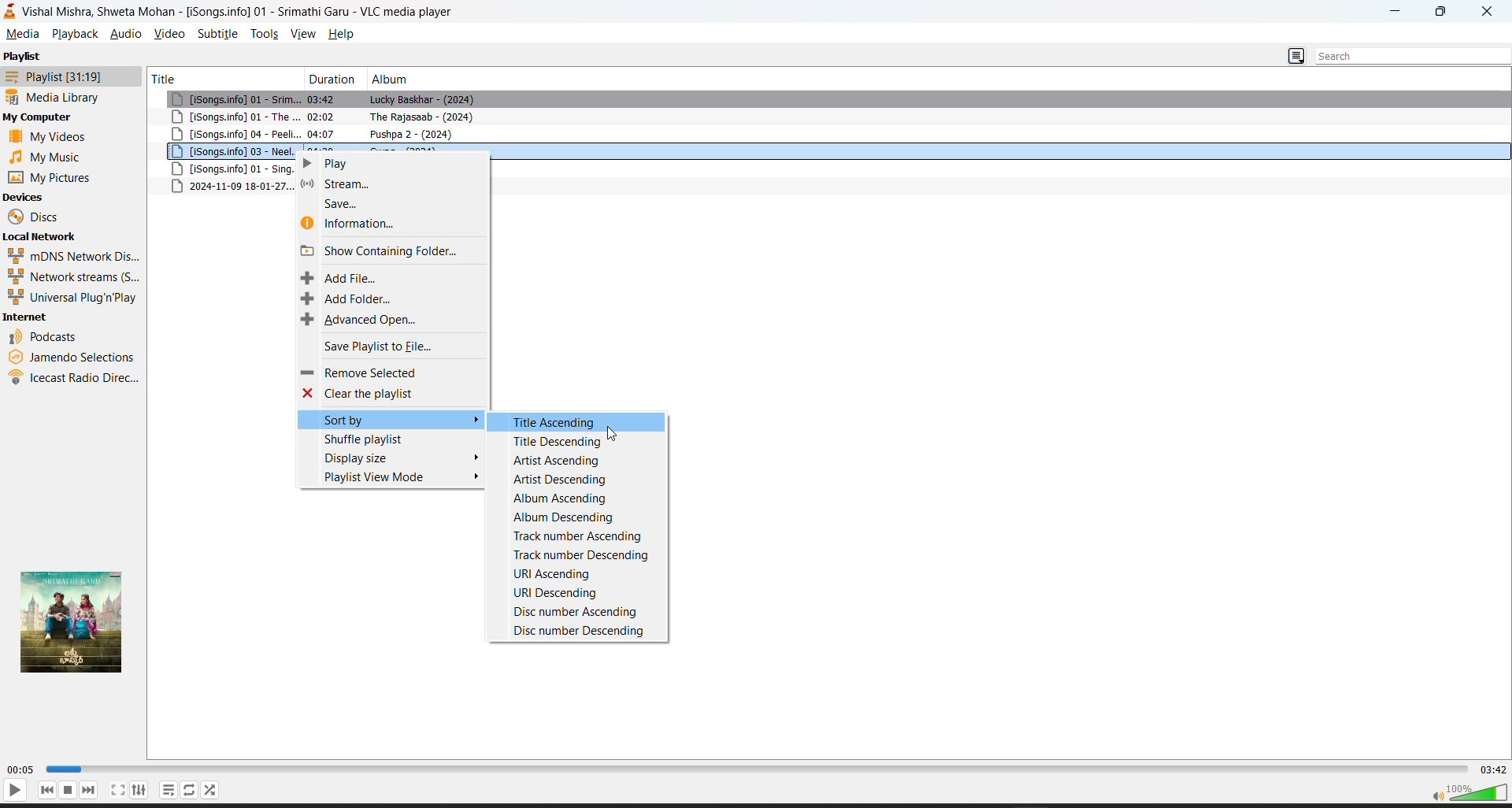  What do you see at coordinates (580, 478) in the screenshot?
I see `artist descending` at bounding box center [580, 478].